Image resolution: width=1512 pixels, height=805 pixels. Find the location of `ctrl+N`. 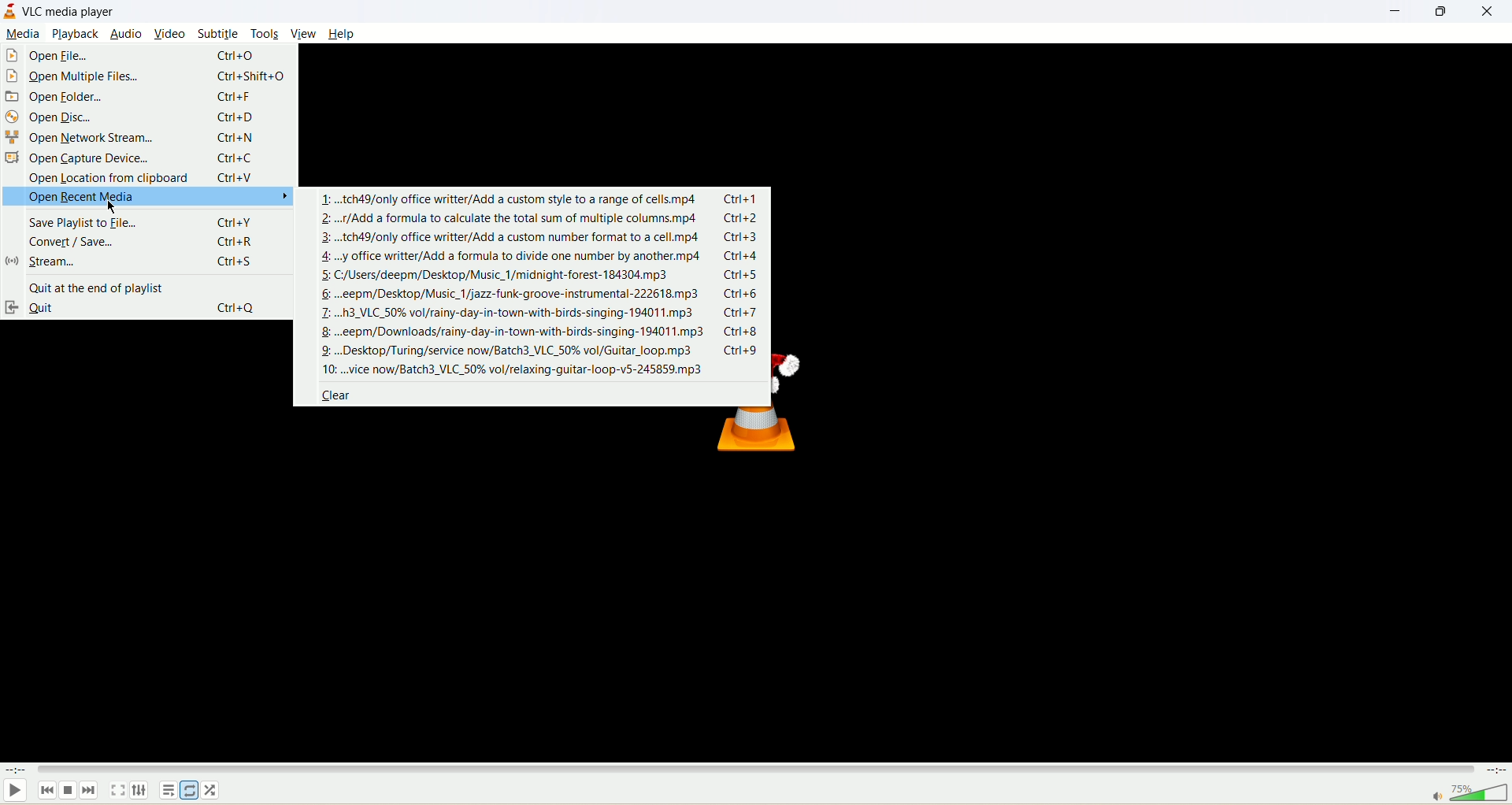

ctrl+N is located at coordinates (235, 138).